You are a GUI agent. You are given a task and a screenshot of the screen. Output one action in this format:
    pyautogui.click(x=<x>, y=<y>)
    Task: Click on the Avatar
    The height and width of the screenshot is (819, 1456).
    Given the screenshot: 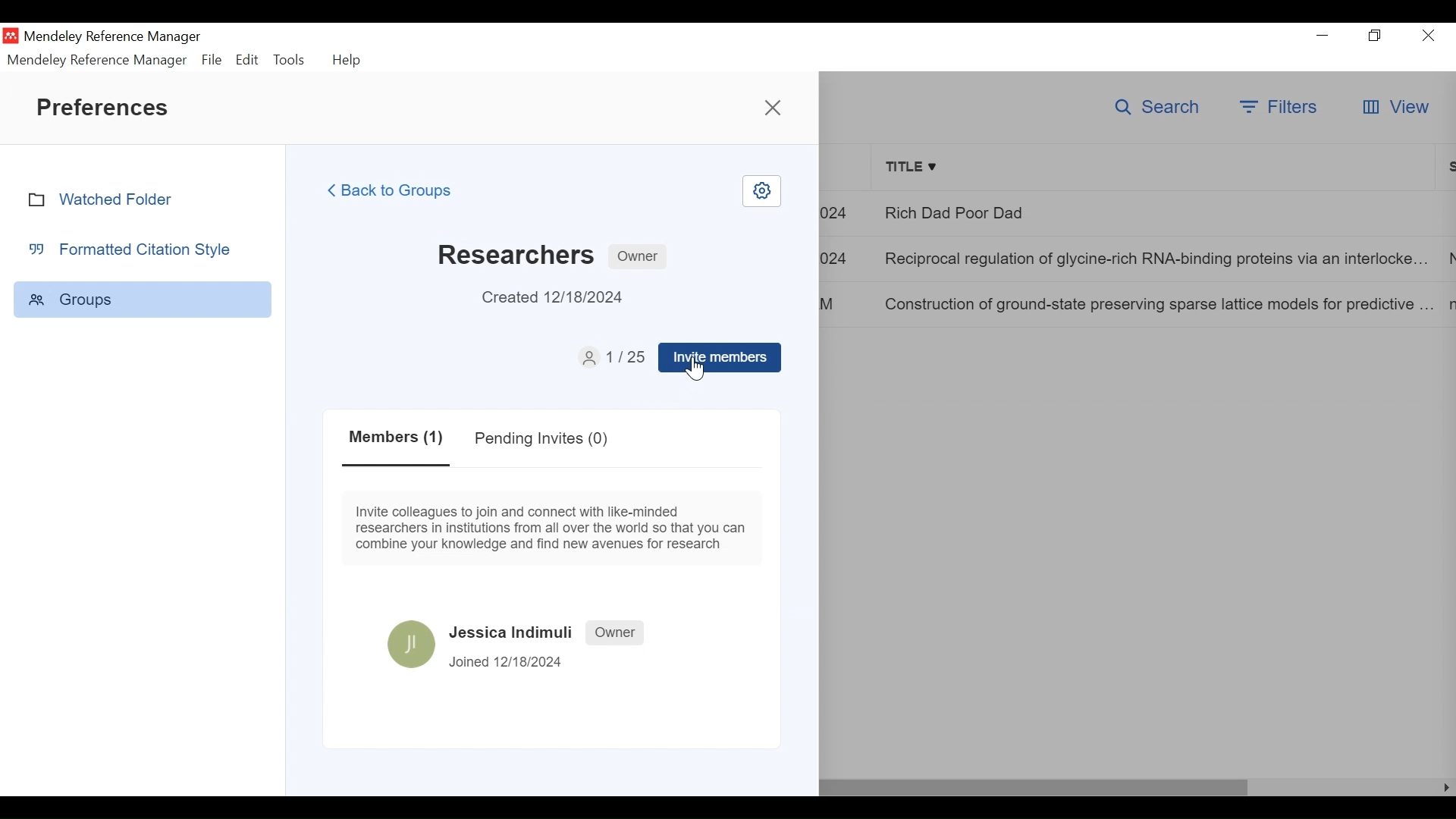 What is the action you would take?
    pyautogui.click(x=413, y=643)
    